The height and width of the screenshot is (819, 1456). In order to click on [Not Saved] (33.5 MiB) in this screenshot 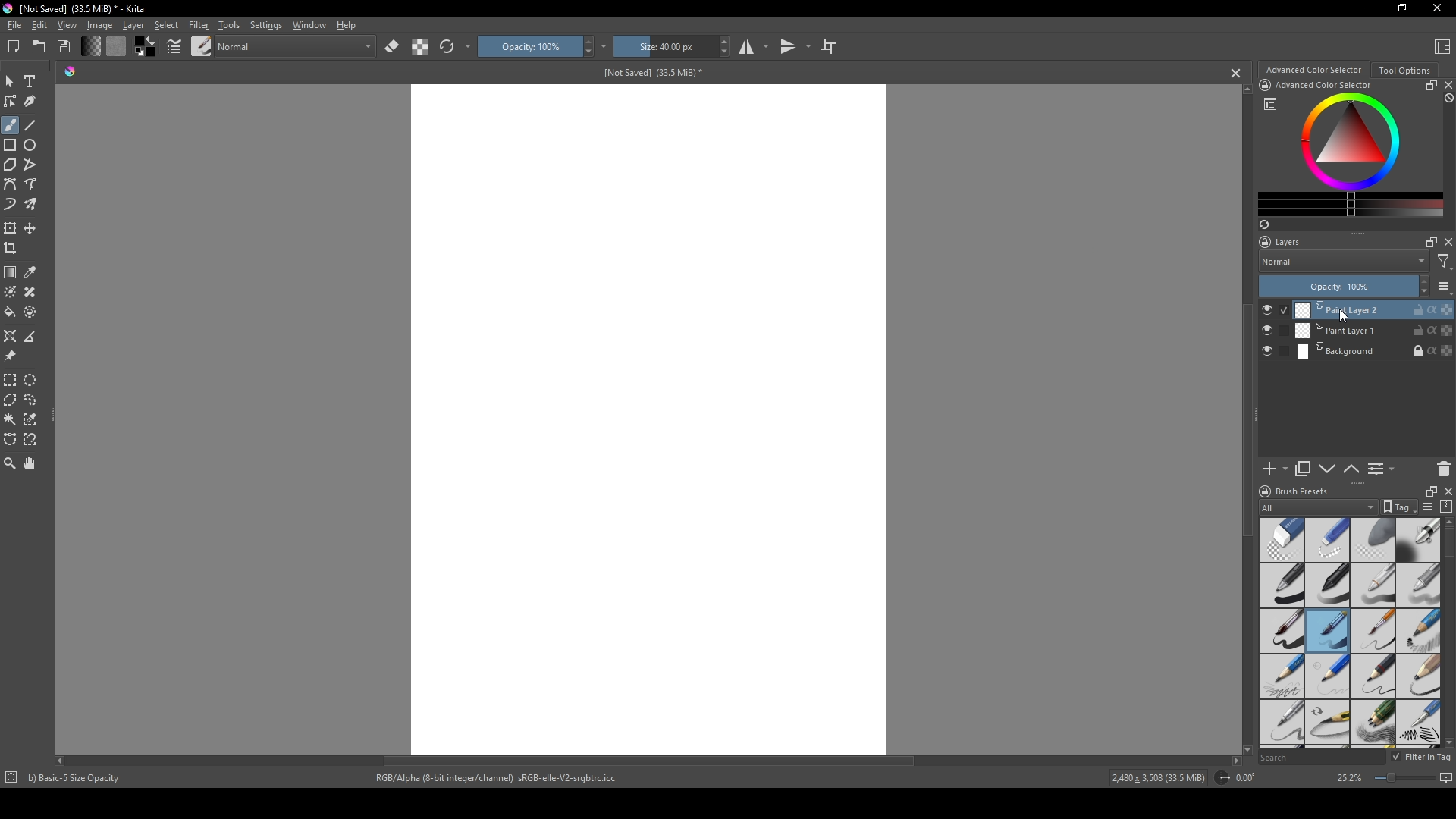, I will do `click(650, 73)`.